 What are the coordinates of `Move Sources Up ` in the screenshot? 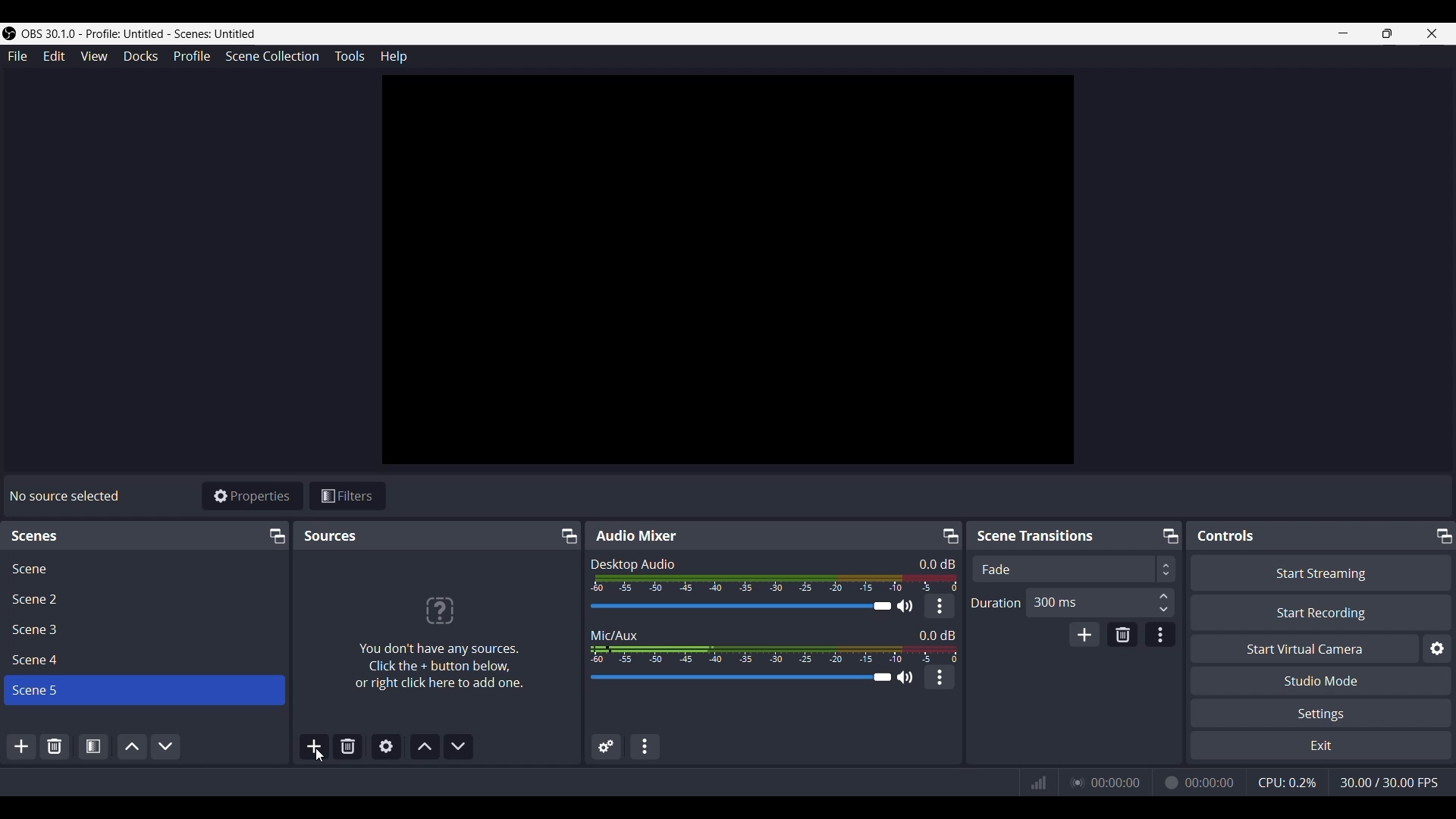 It's located at (424, 747).